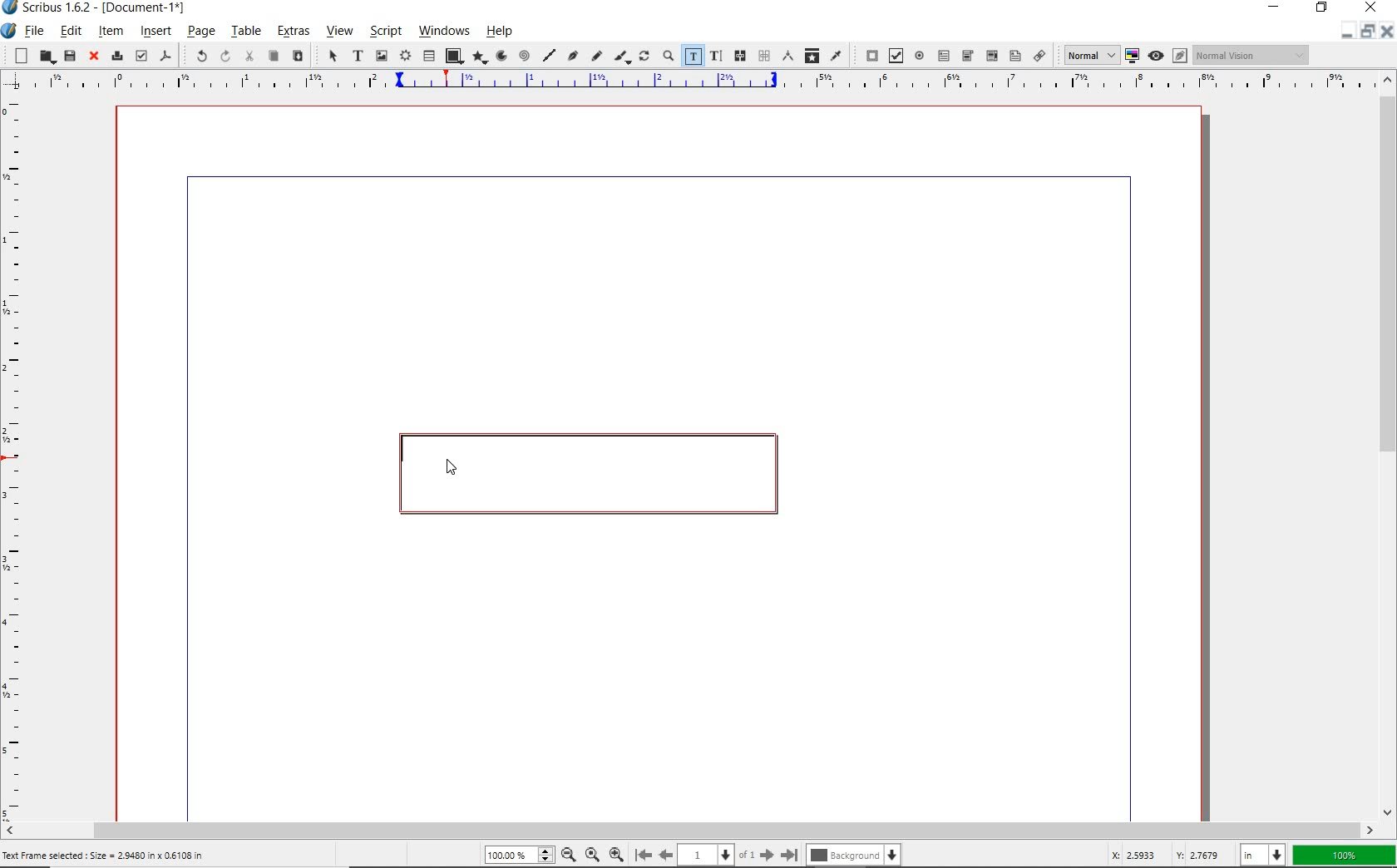 This screenshot has height=868, width=1397. Describe the element at coordinates (572, 57) in the screenshot. I see `Bezier curve` at that location.